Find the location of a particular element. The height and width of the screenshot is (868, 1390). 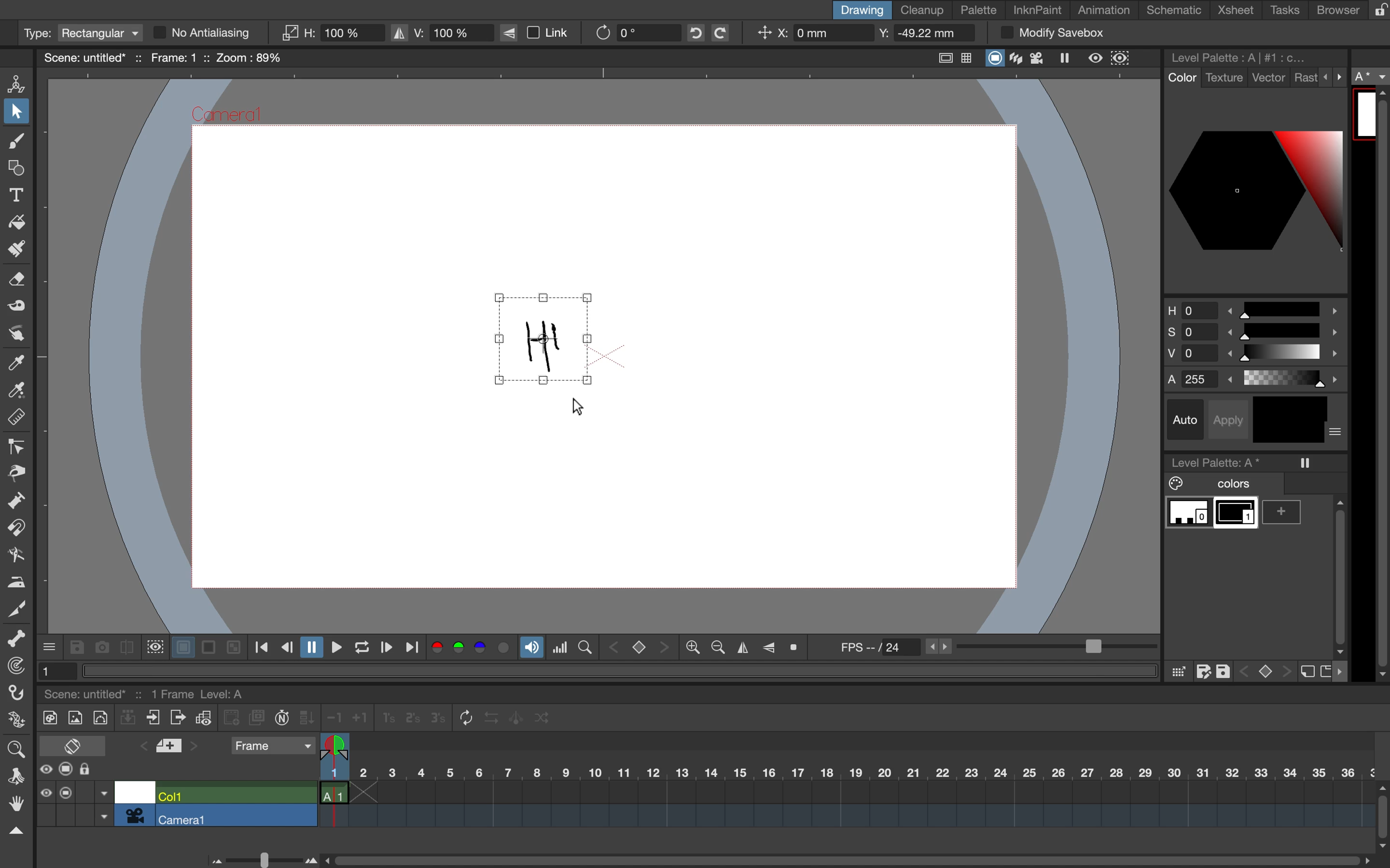

brightness is located at coordinates (1257, 356).